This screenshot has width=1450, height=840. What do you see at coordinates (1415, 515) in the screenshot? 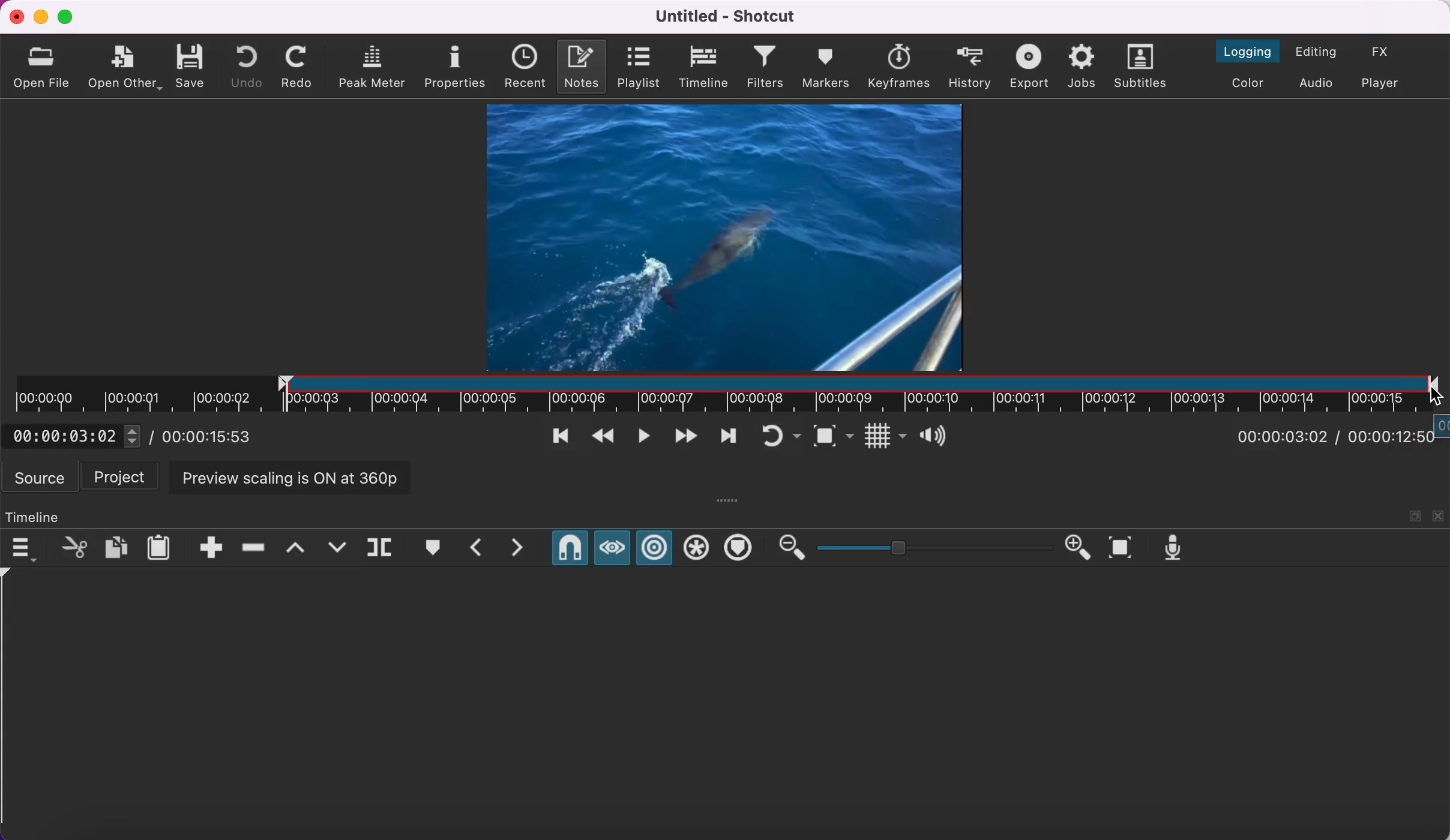
I see `maximize` at bounding box center [1415, 515].